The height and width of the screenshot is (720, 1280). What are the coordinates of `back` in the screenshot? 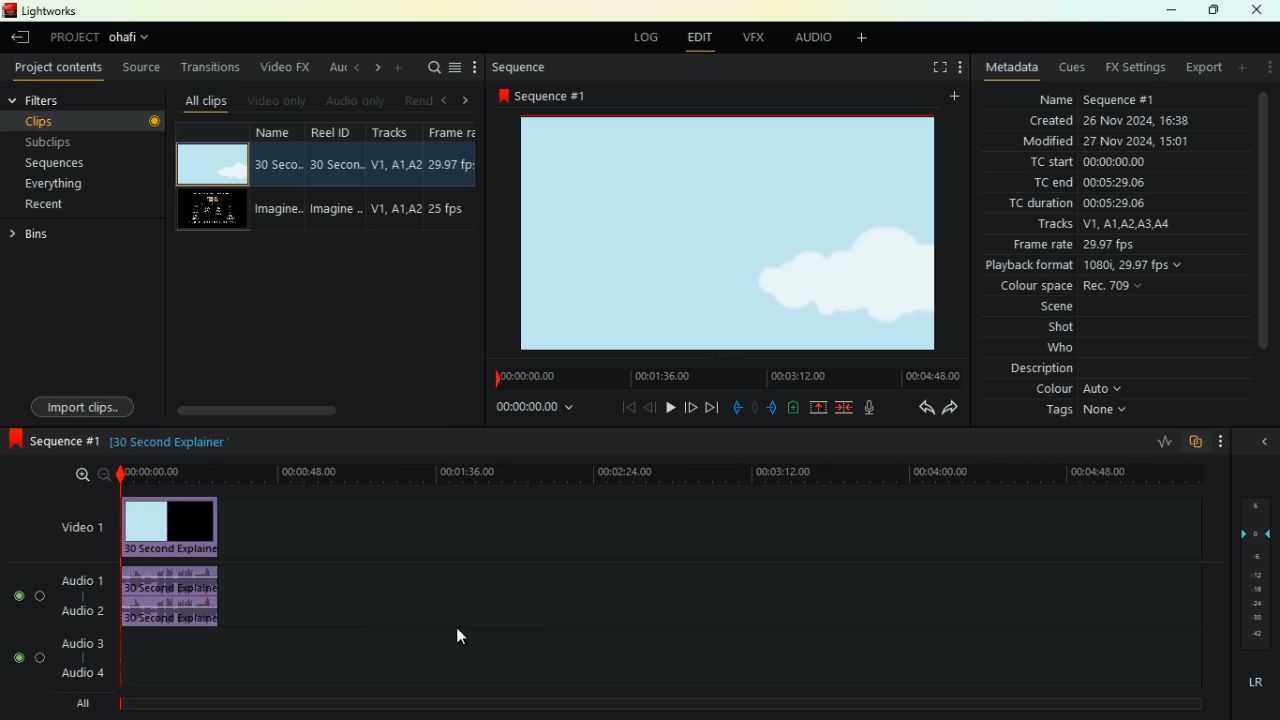 It's located at (648, 407).